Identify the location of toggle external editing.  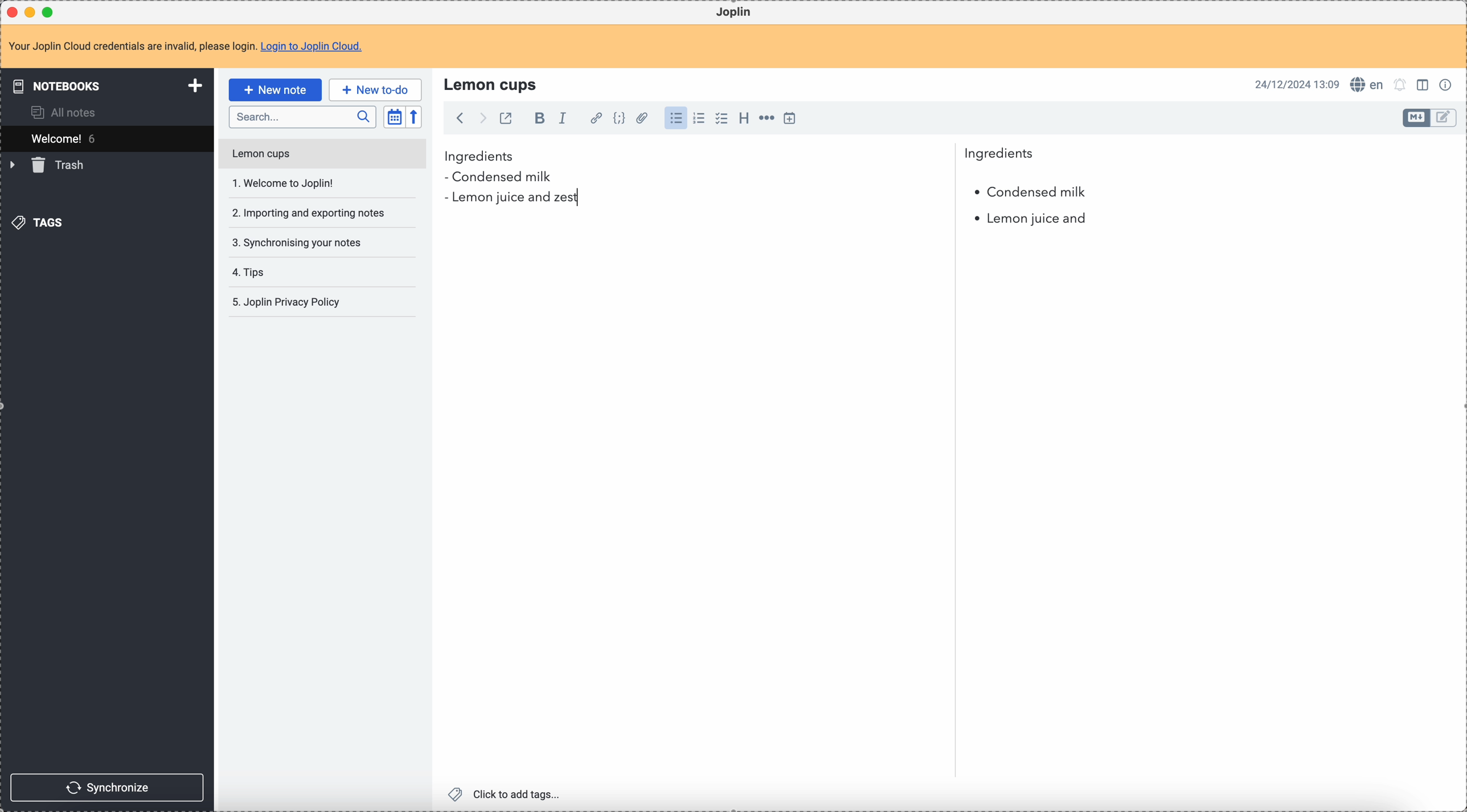
(505, 120).